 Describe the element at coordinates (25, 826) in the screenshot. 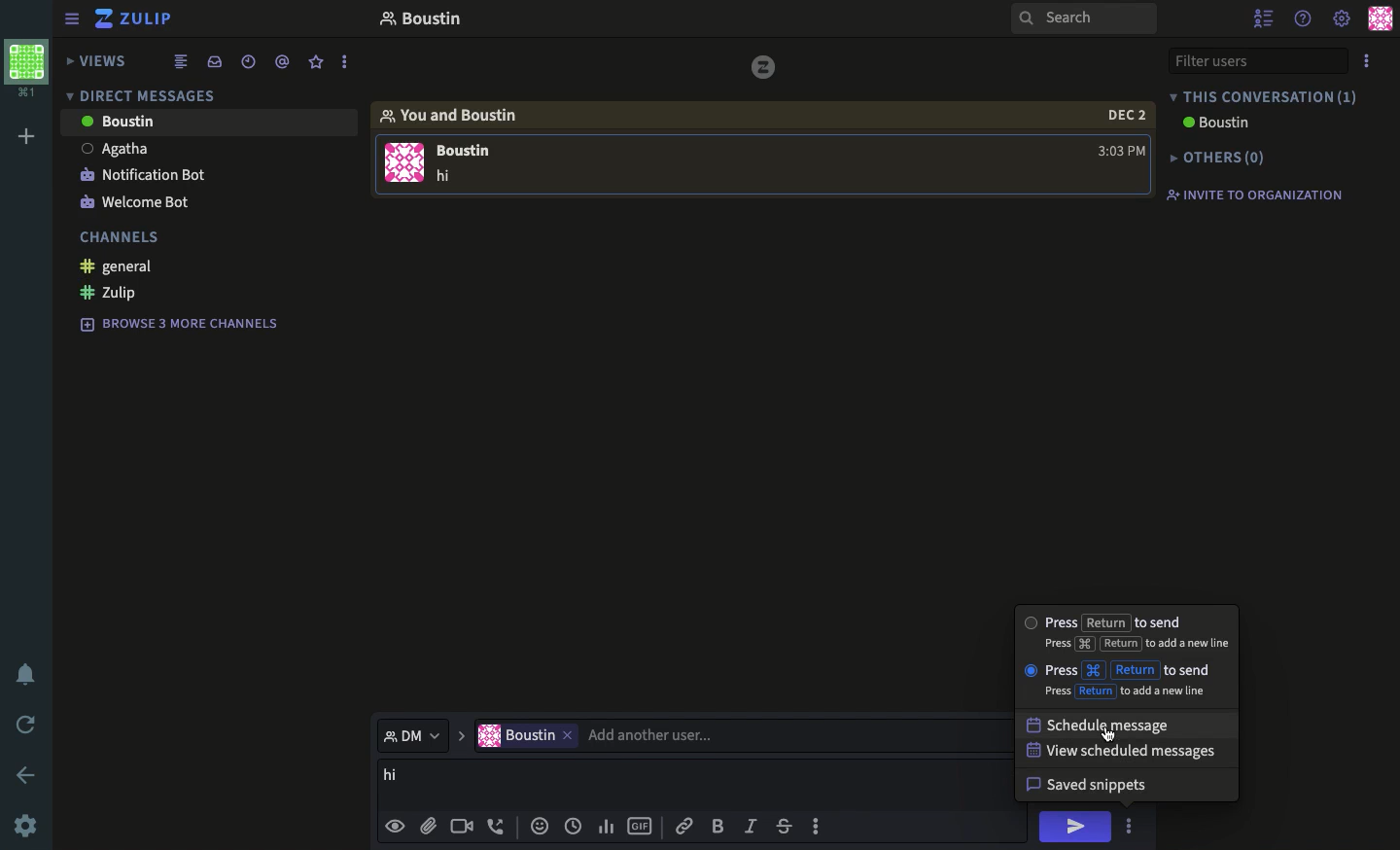

I see `settings` at that location.